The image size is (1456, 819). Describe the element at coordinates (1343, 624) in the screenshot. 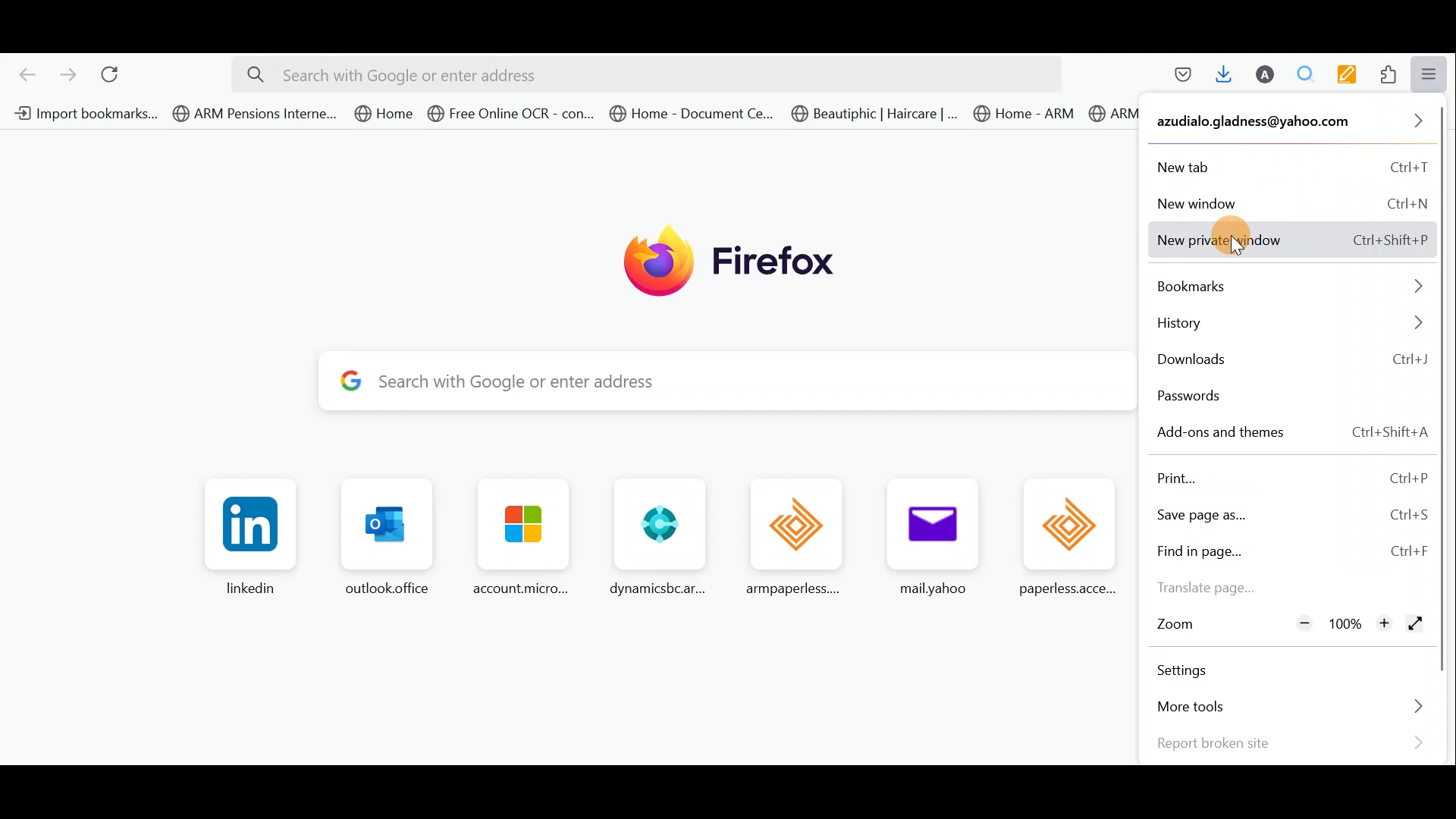

I see `100%` at that location.